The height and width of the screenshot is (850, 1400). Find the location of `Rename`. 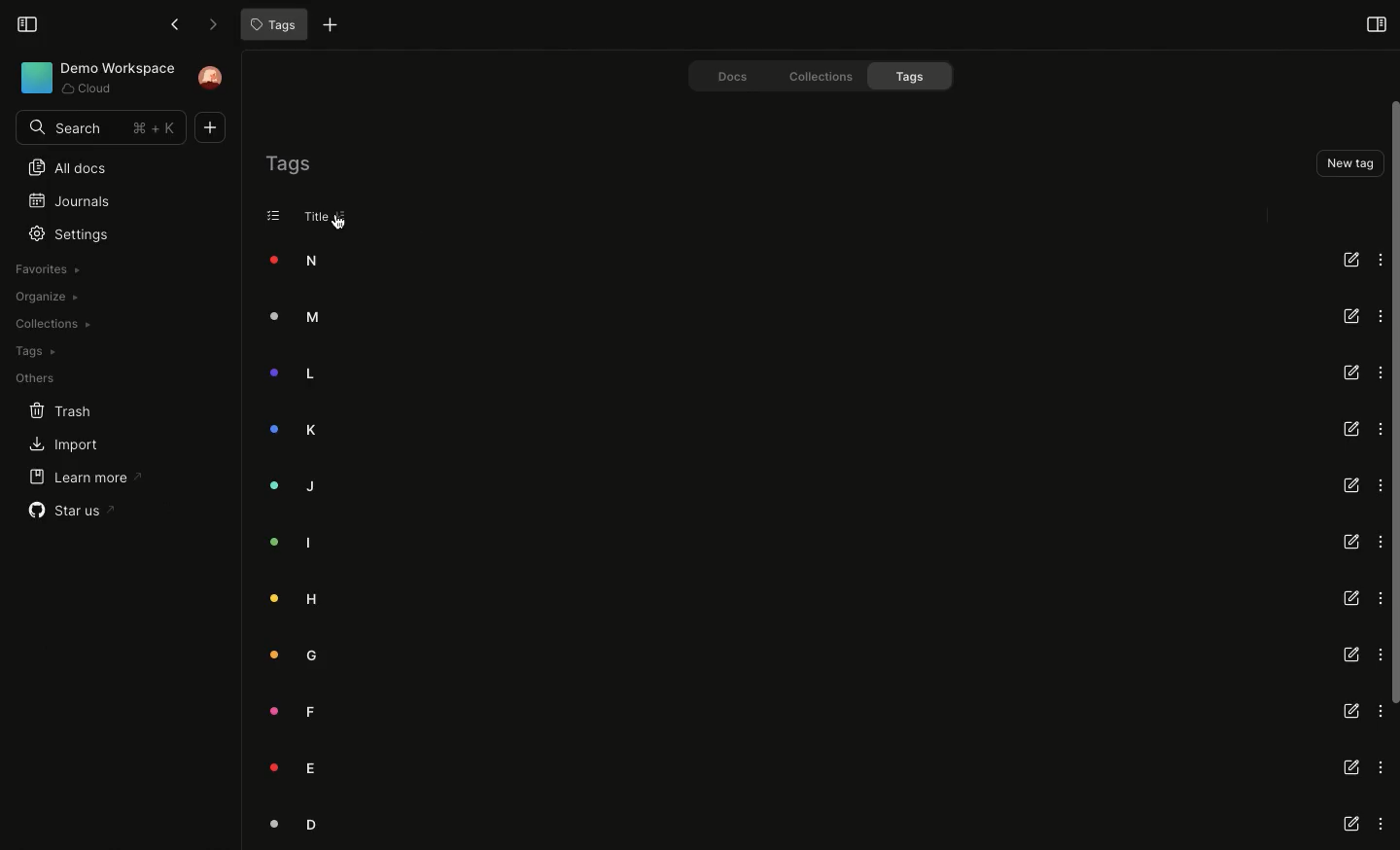

Rename is located at coordinates (1348, 484).